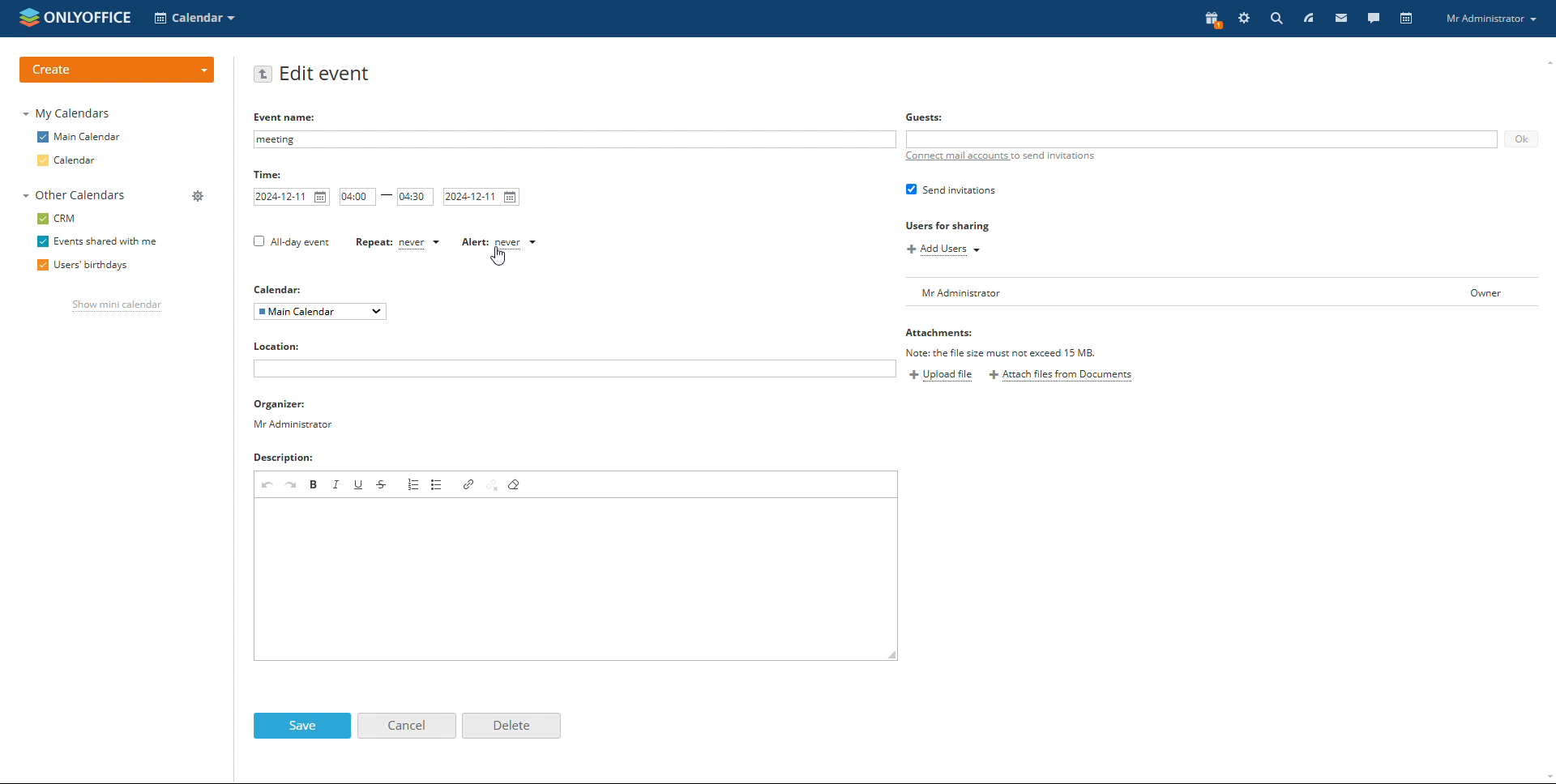 The height and width of the screenshot is (784, 1556). What do you see at coordinates (1520, 139) in the screenshot?
I see `ok` at bounding box center [1520, 139].